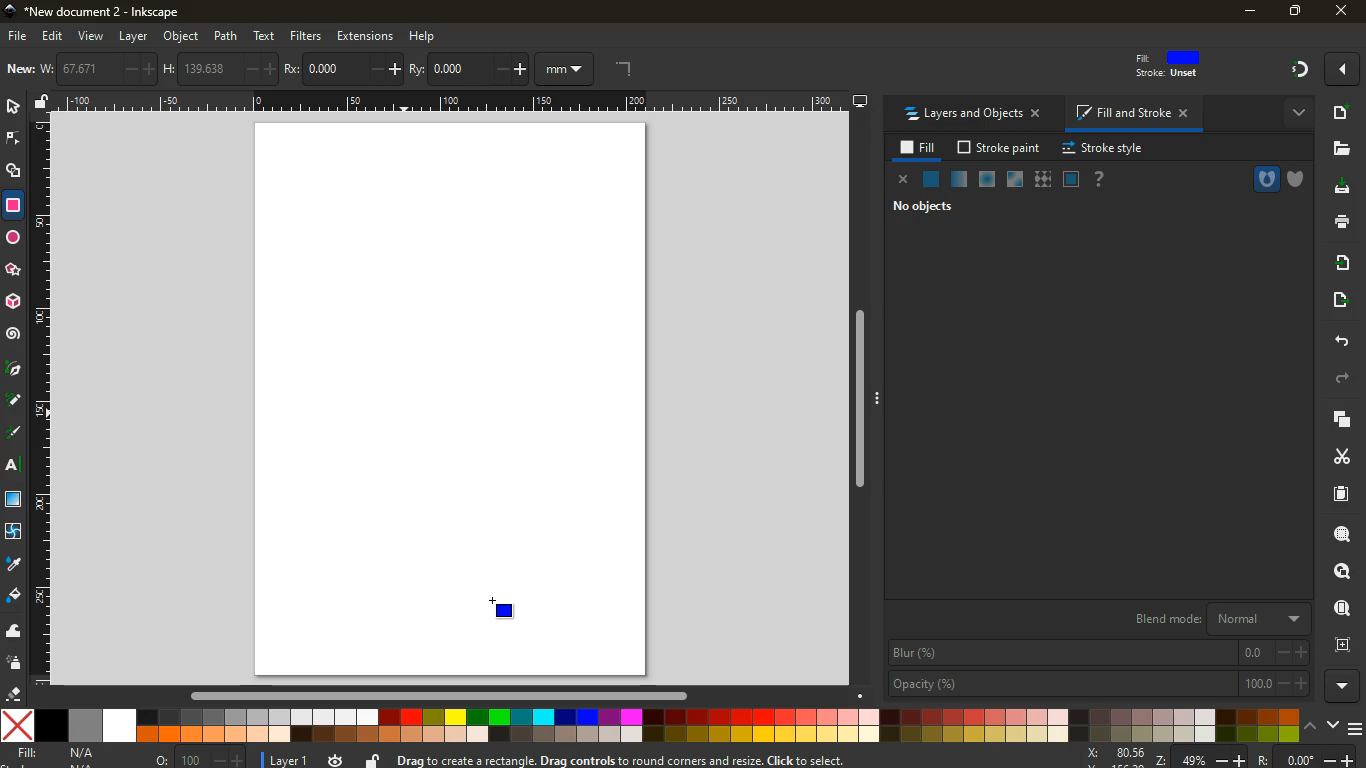 This screenshot has width=1366, height=768. Describe the element at coordinates (39, 400) in the screenshot. I see `Horizontal Margin` at that location.